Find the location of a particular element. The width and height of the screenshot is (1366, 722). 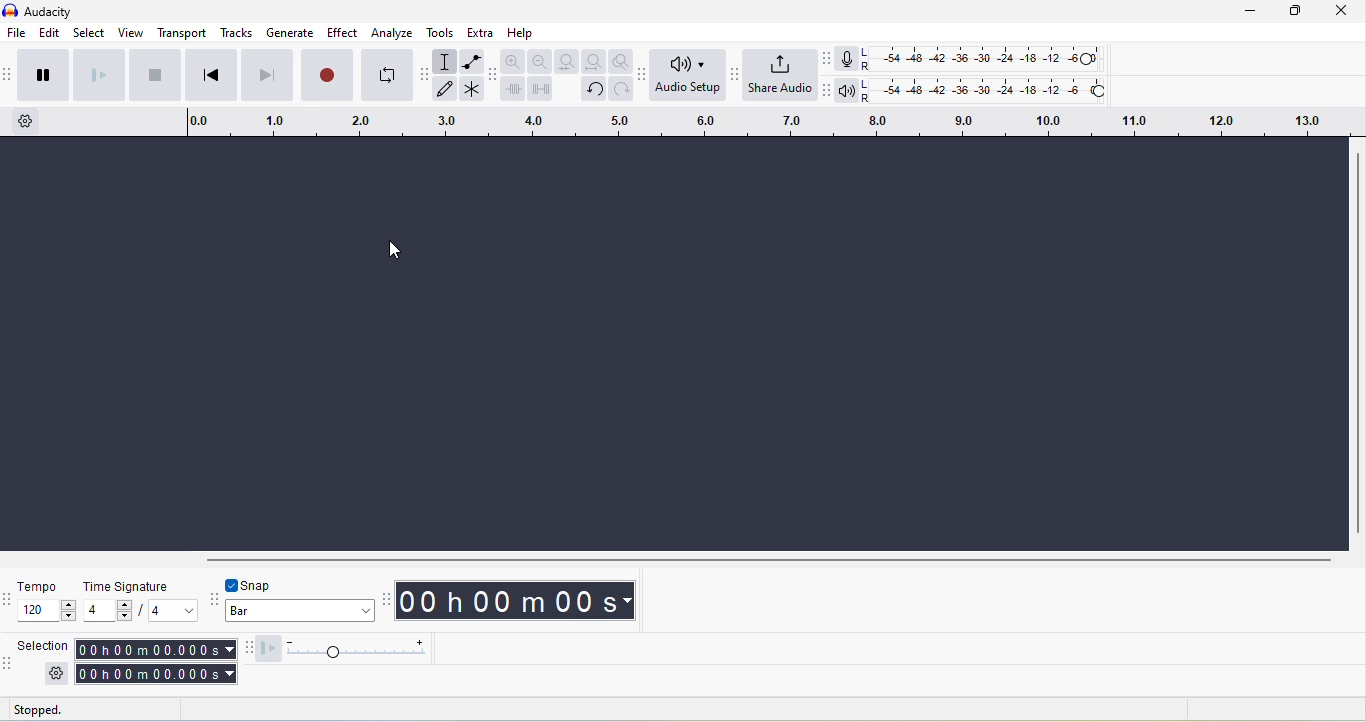

playback meter is located at coordinates (847, 91).